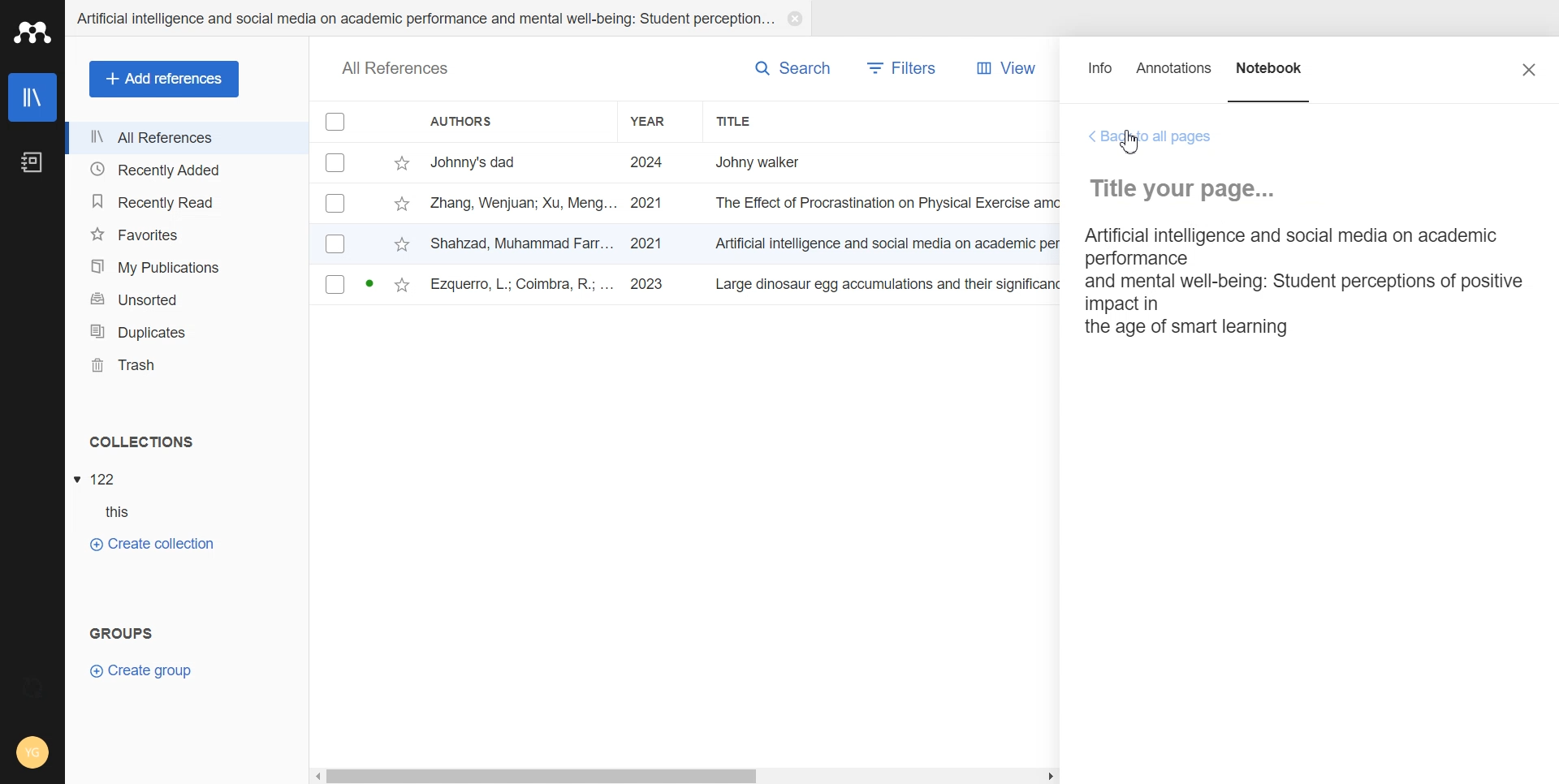  I want to click on Trash, so click(187, 365).